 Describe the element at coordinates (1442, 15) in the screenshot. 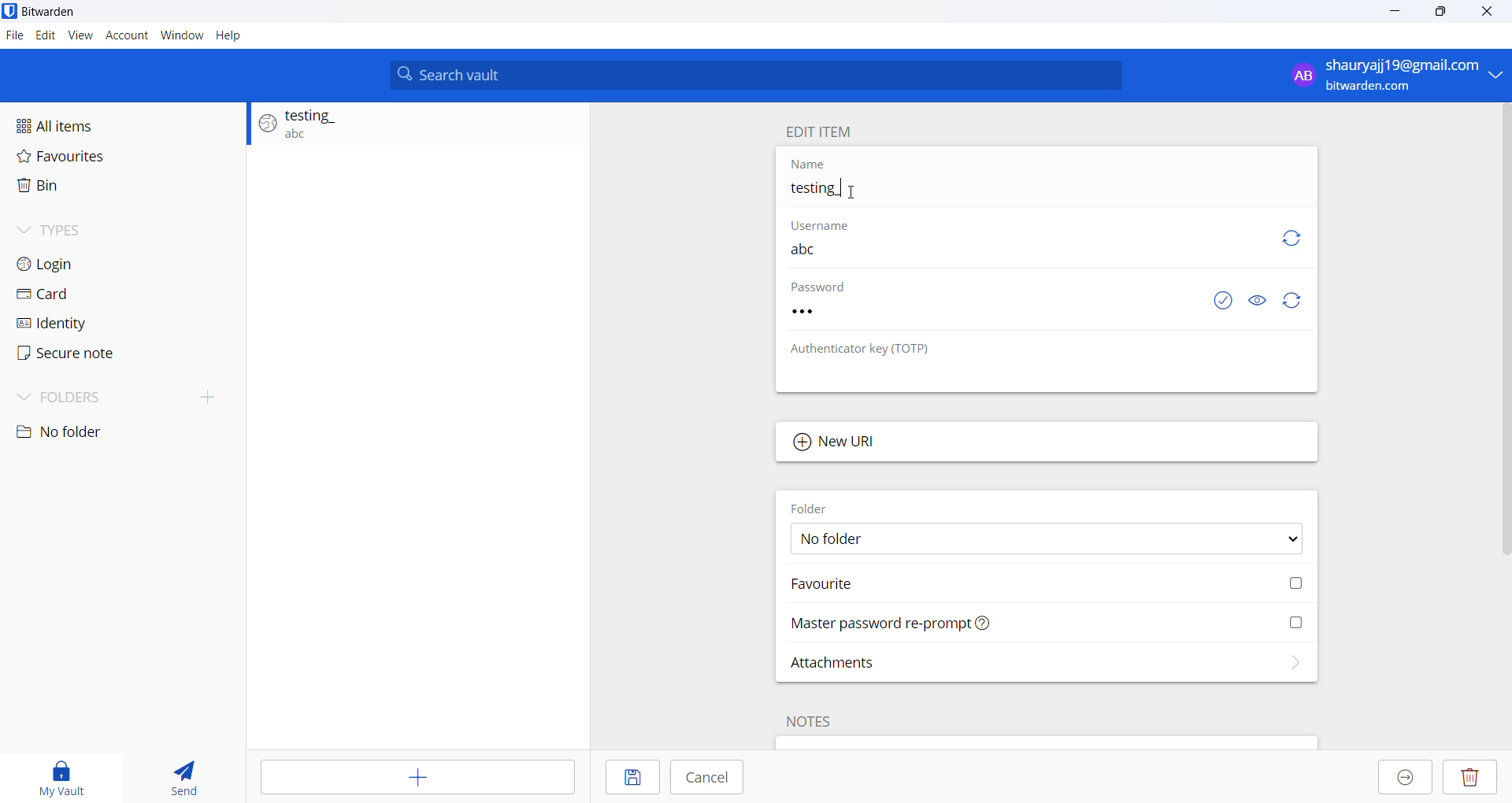

I see `maximise` at that location.